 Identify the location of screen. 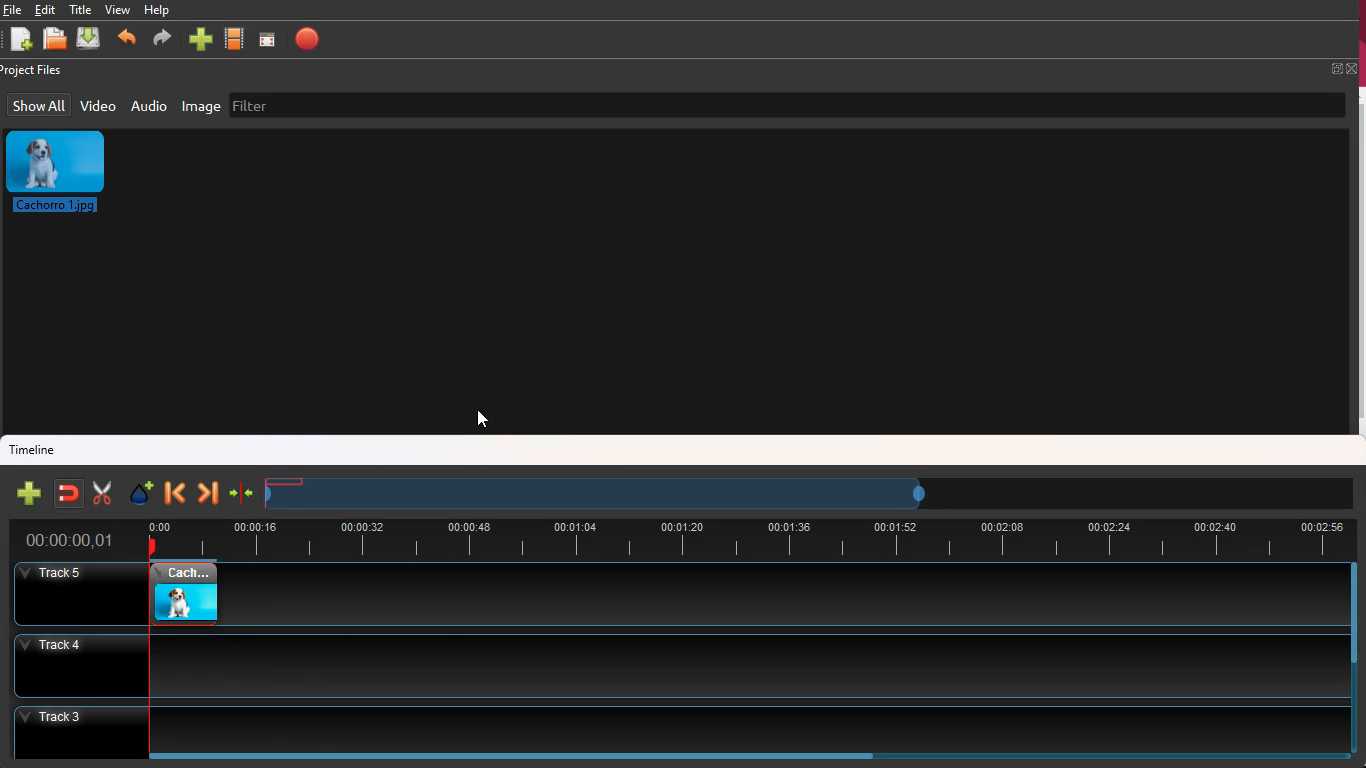
(266, 42).